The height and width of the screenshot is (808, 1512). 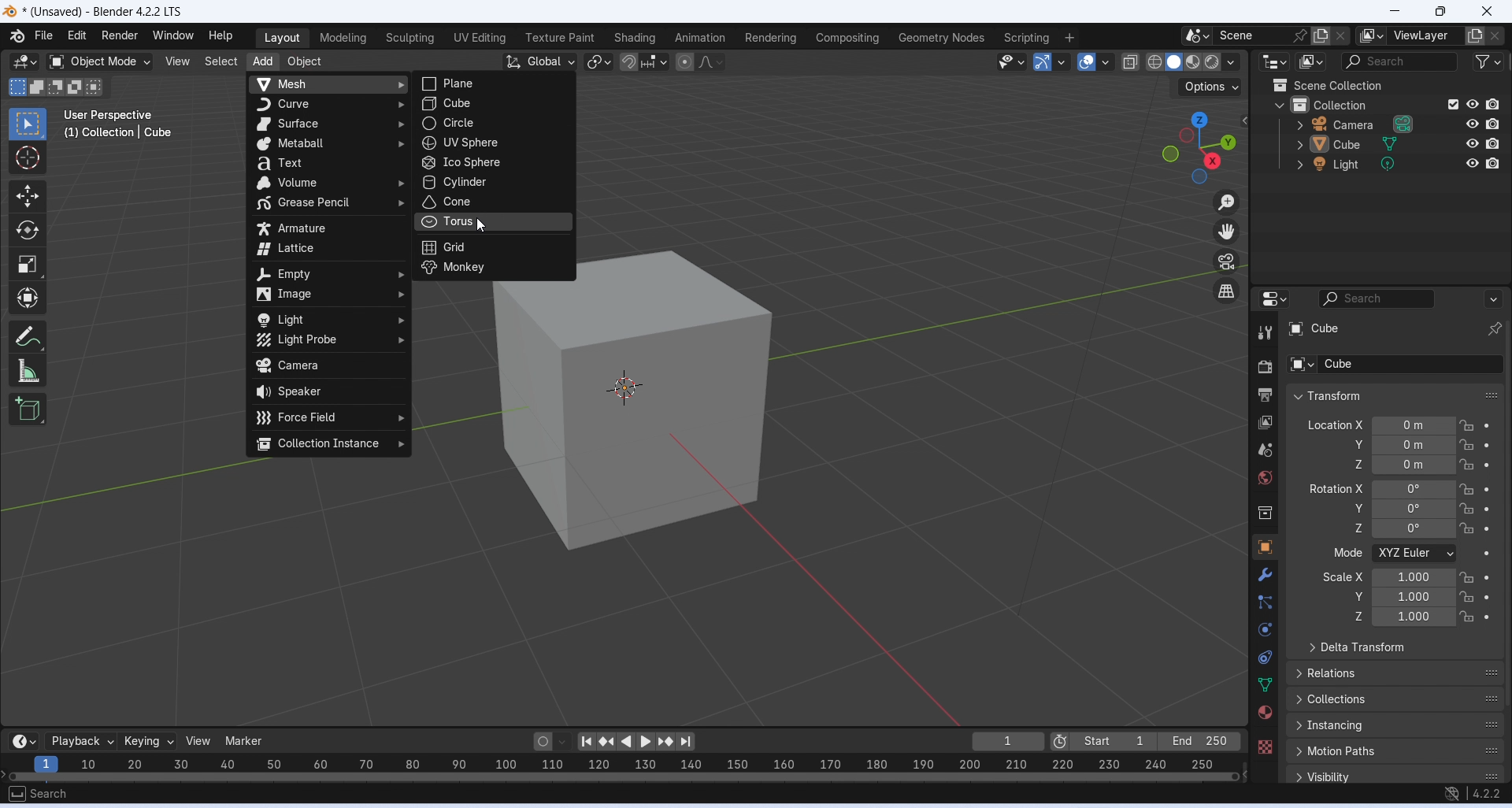 I want to click on Selectability and visibility, so click(x=1011, y=60).